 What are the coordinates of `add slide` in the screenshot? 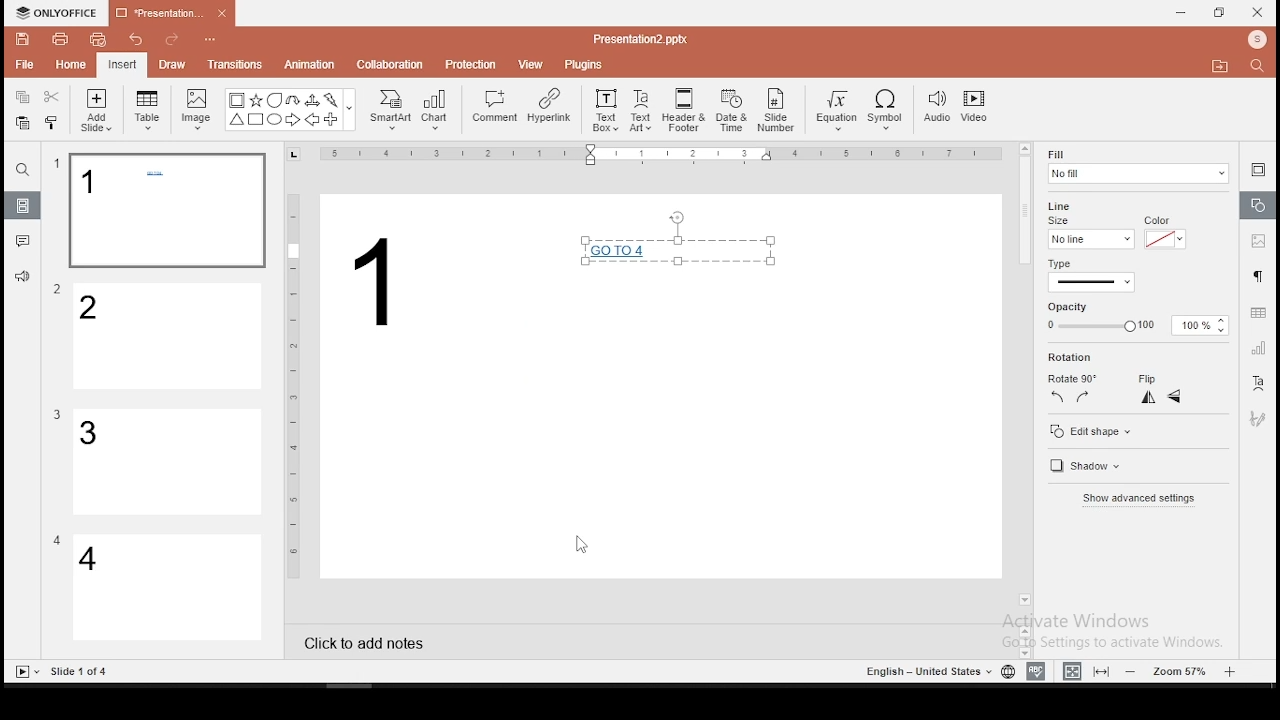 It's located at (96, 110).